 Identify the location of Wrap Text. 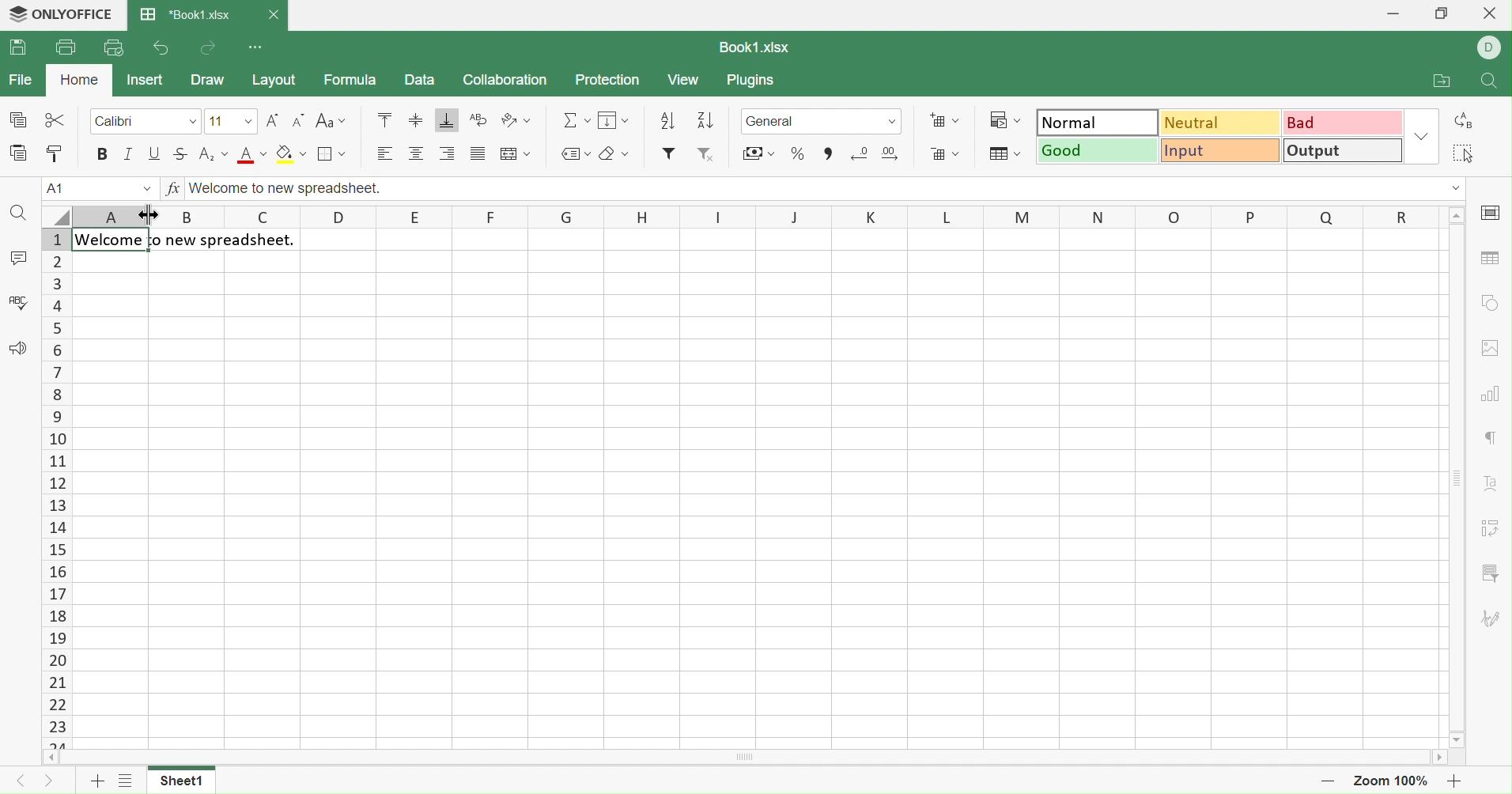
(479, 119).